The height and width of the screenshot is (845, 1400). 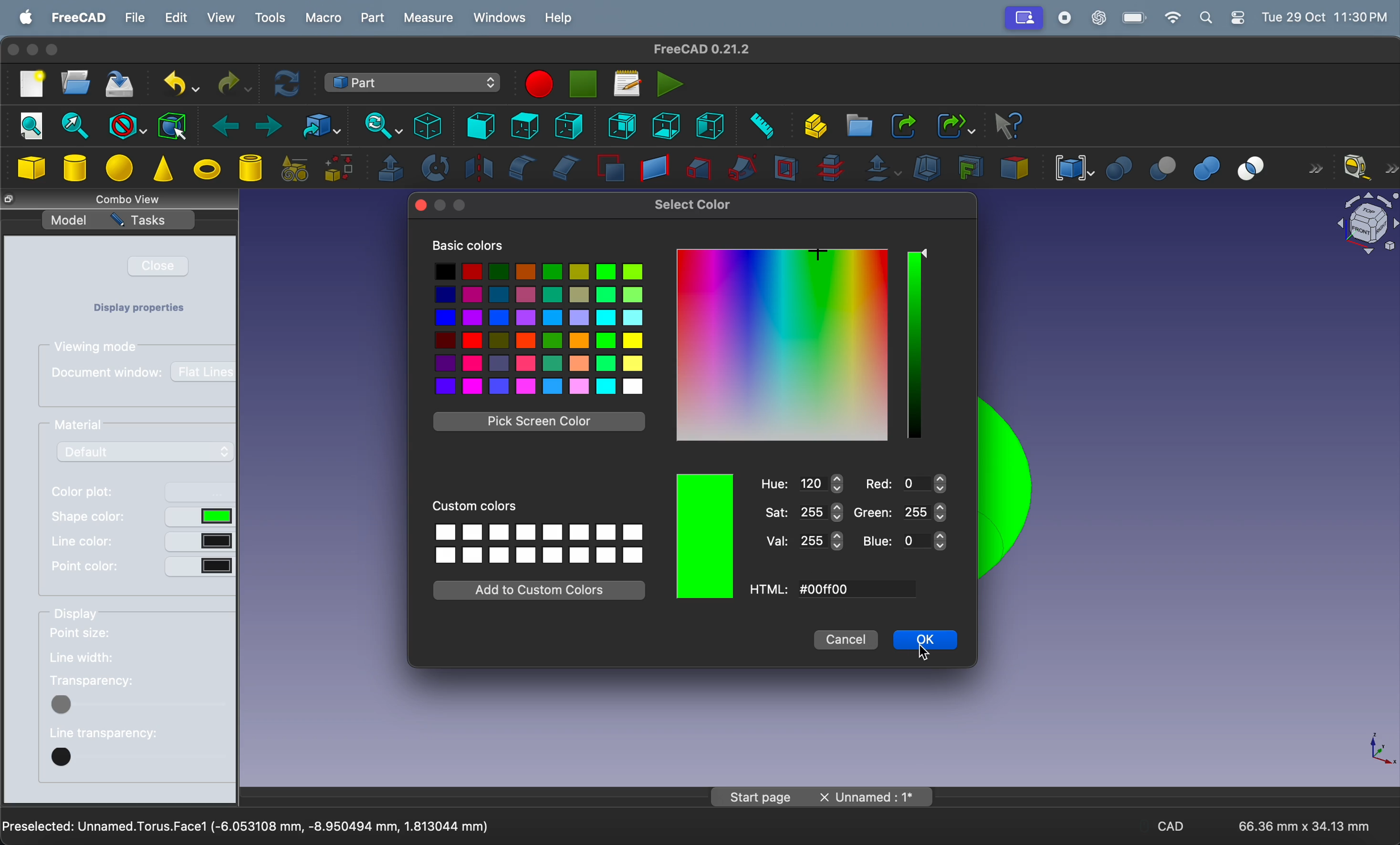 What do you see at coordinates (584, 84) in the screenshot?
I see `stop marco recording` at bounding box center [584, 84].